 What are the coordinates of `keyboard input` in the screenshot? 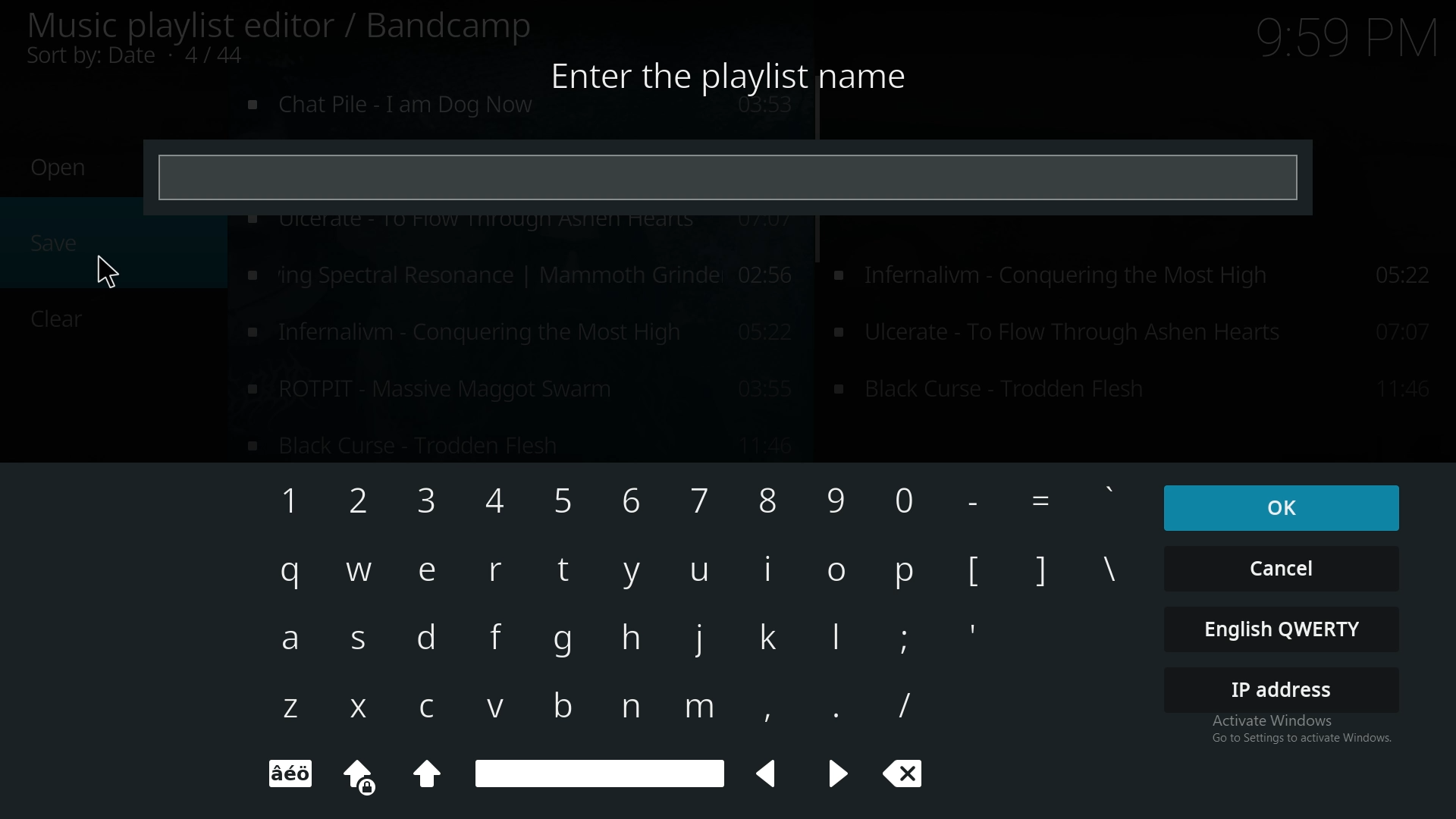 It's located at (569, 647).